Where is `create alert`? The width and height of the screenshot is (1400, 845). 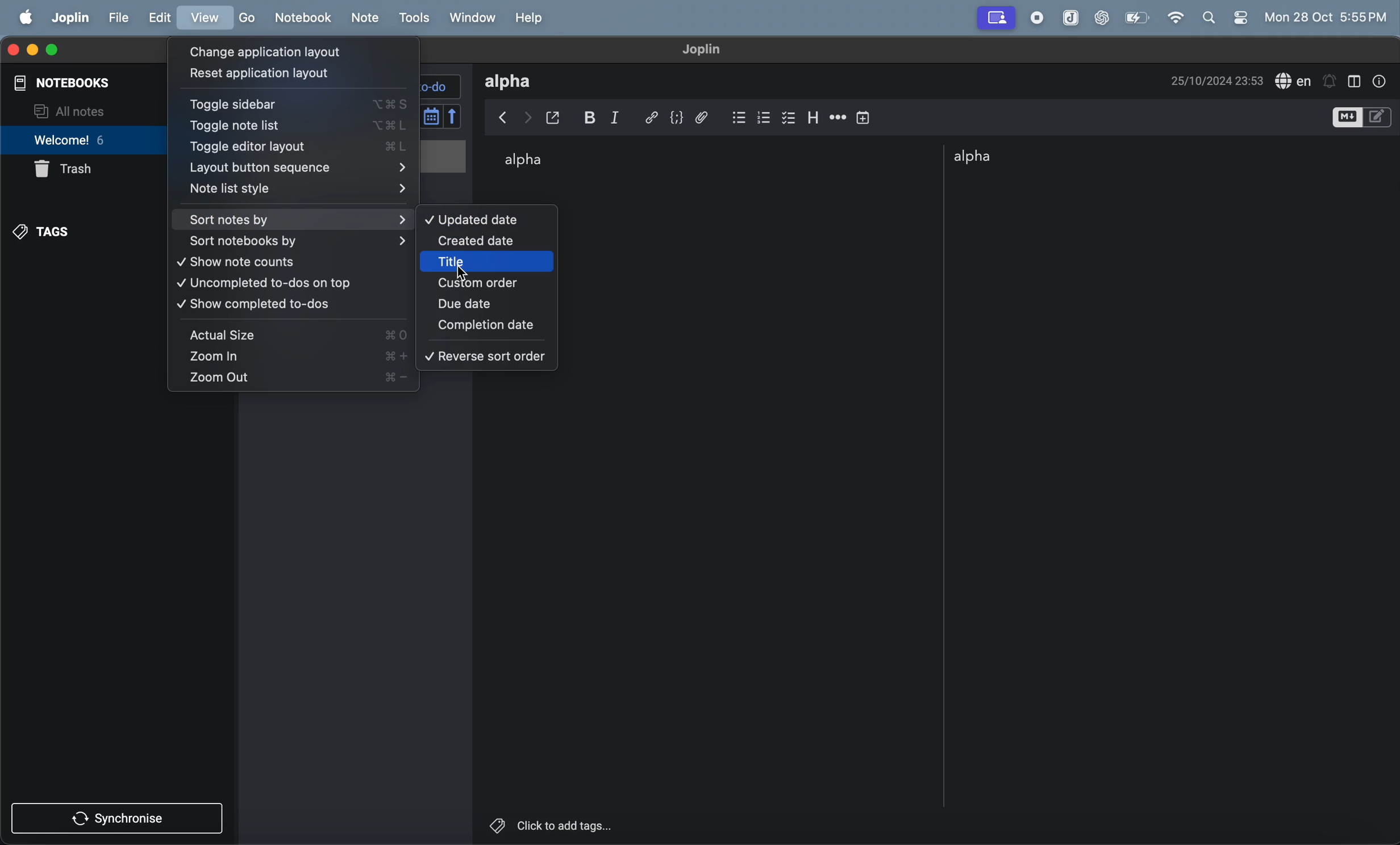 create alert is located at coordinates (1330, 78).